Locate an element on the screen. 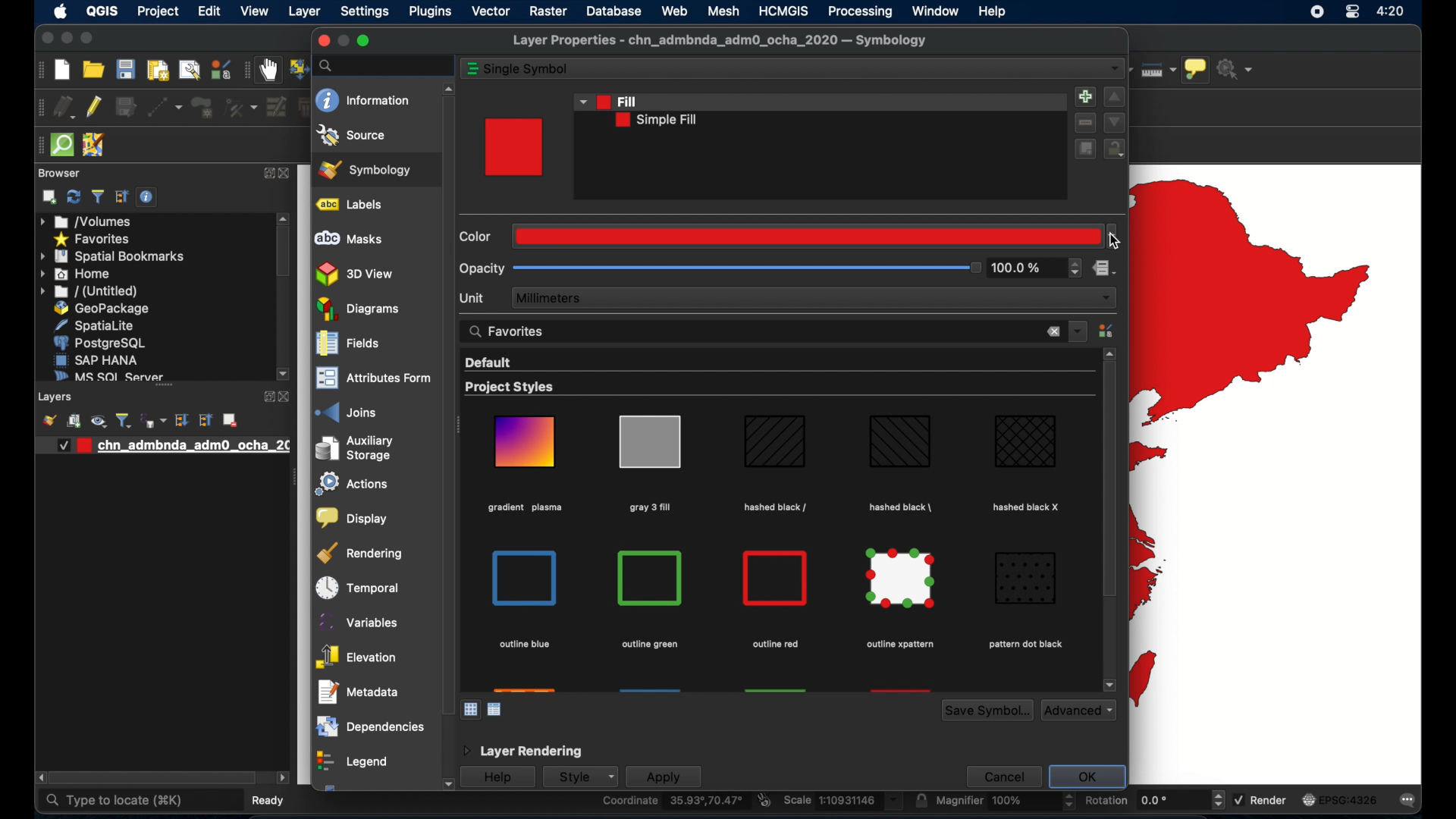  screen recorder icon is located at coordinates (1316, 11).